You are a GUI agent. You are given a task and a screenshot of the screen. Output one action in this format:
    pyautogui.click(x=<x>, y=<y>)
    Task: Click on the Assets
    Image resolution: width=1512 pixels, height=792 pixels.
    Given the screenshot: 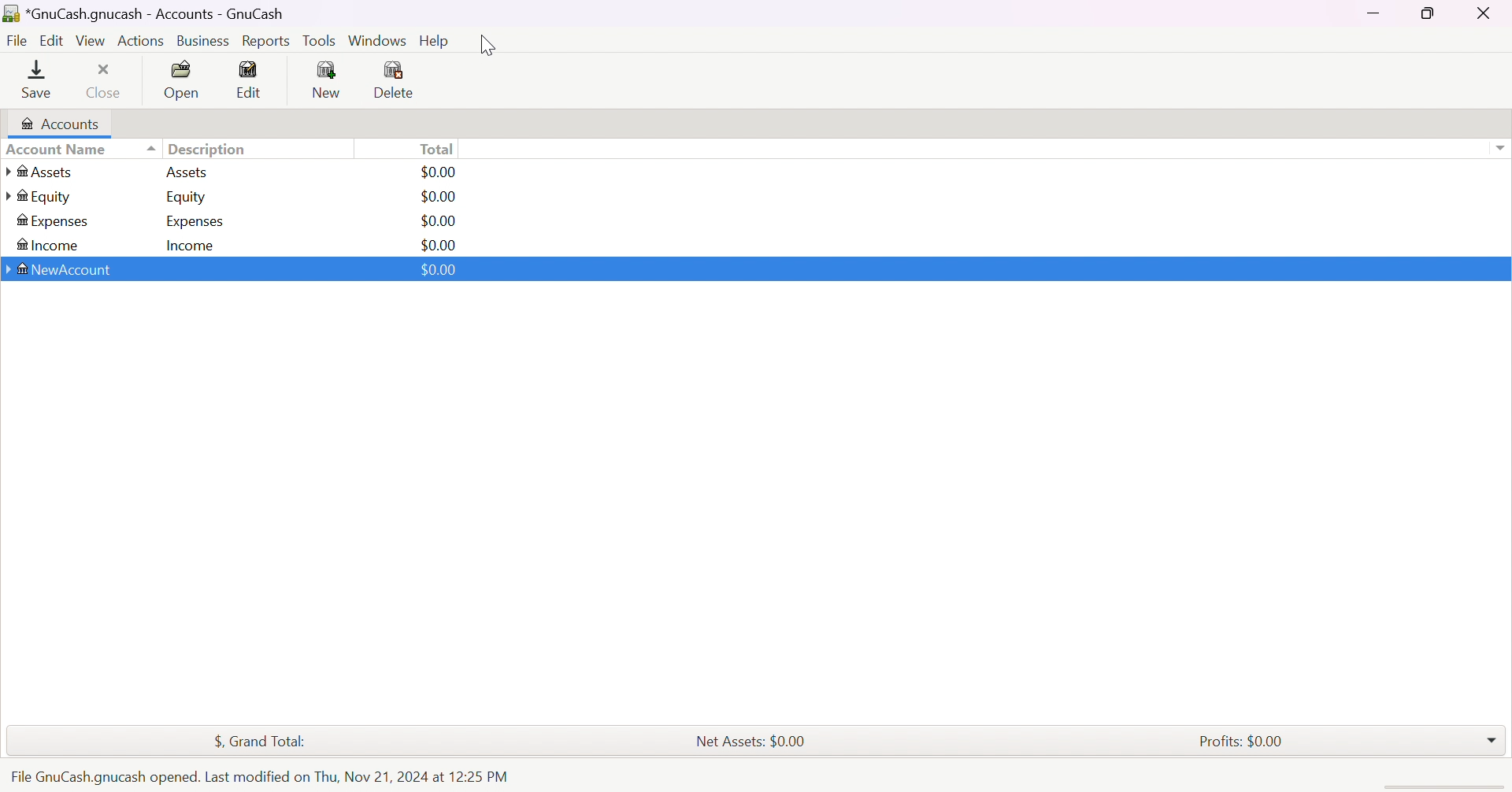 What is the action you would take?
    pyautogui.click(x=191, y=173)
    